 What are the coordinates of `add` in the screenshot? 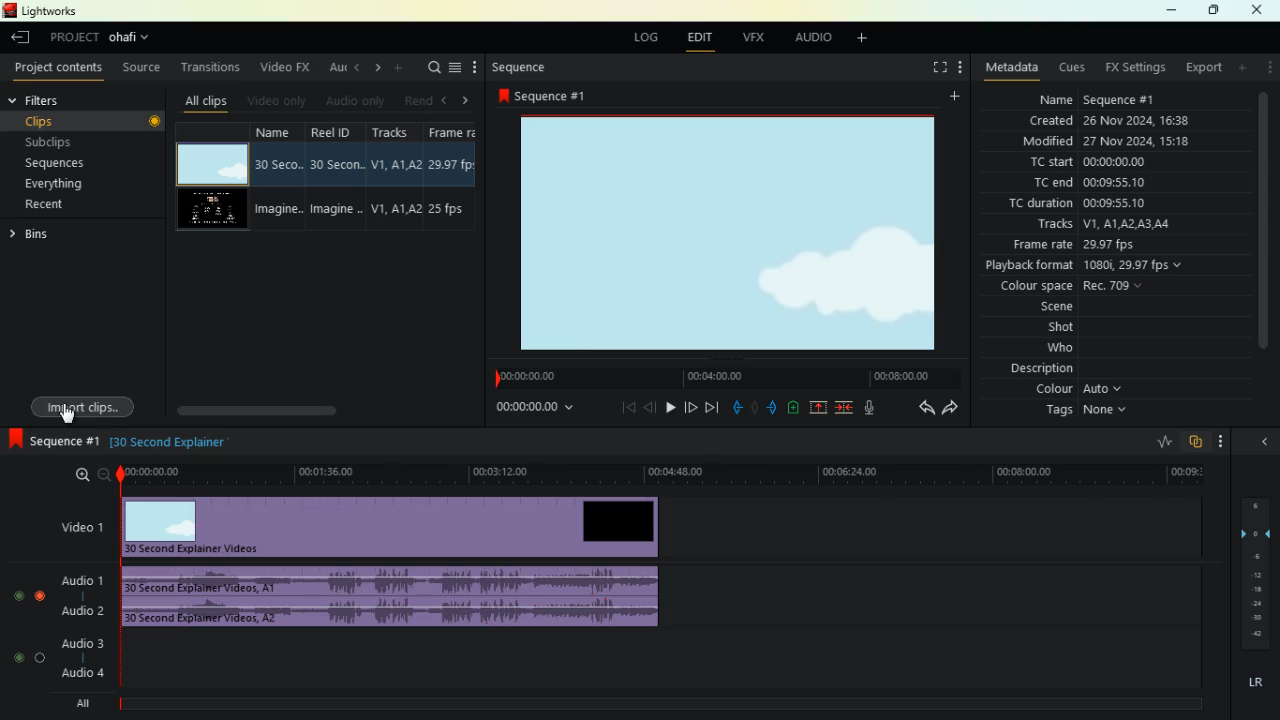 It's located at (399, 68).